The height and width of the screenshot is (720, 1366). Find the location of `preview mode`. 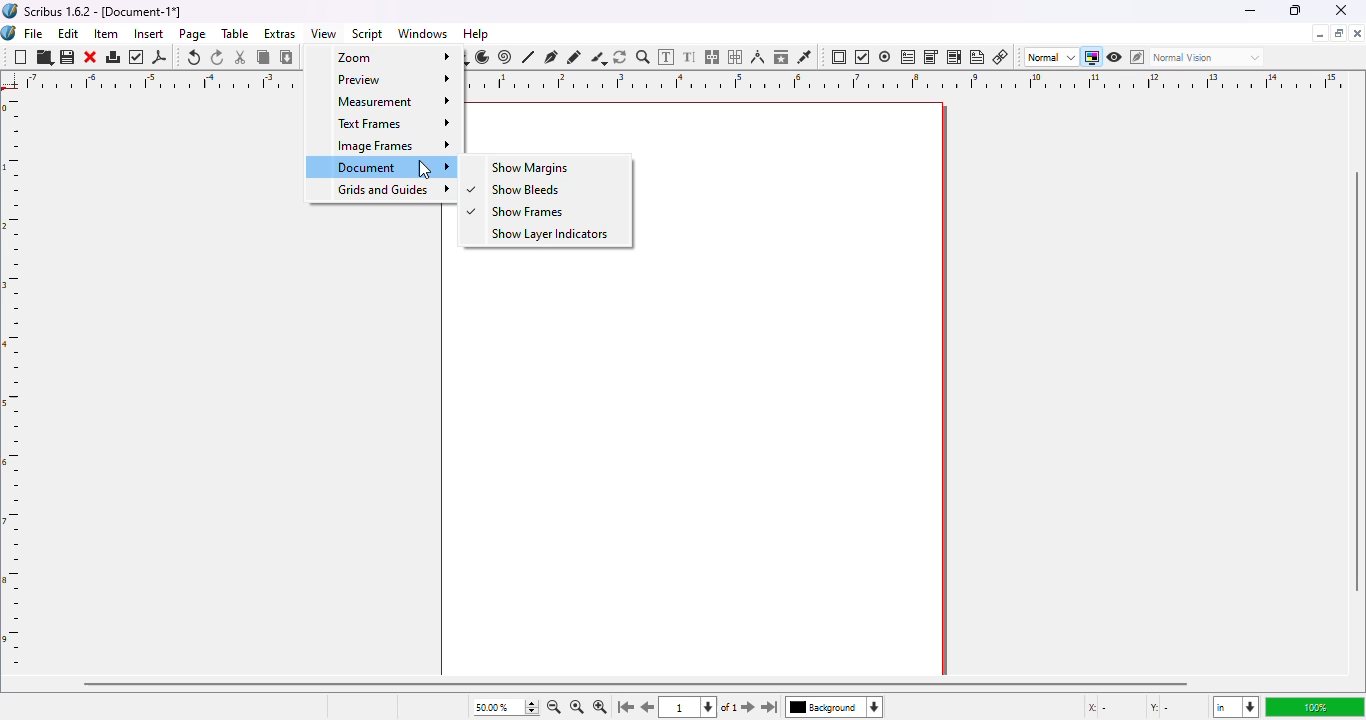

preview mode is located at coordinates (1115, 56).